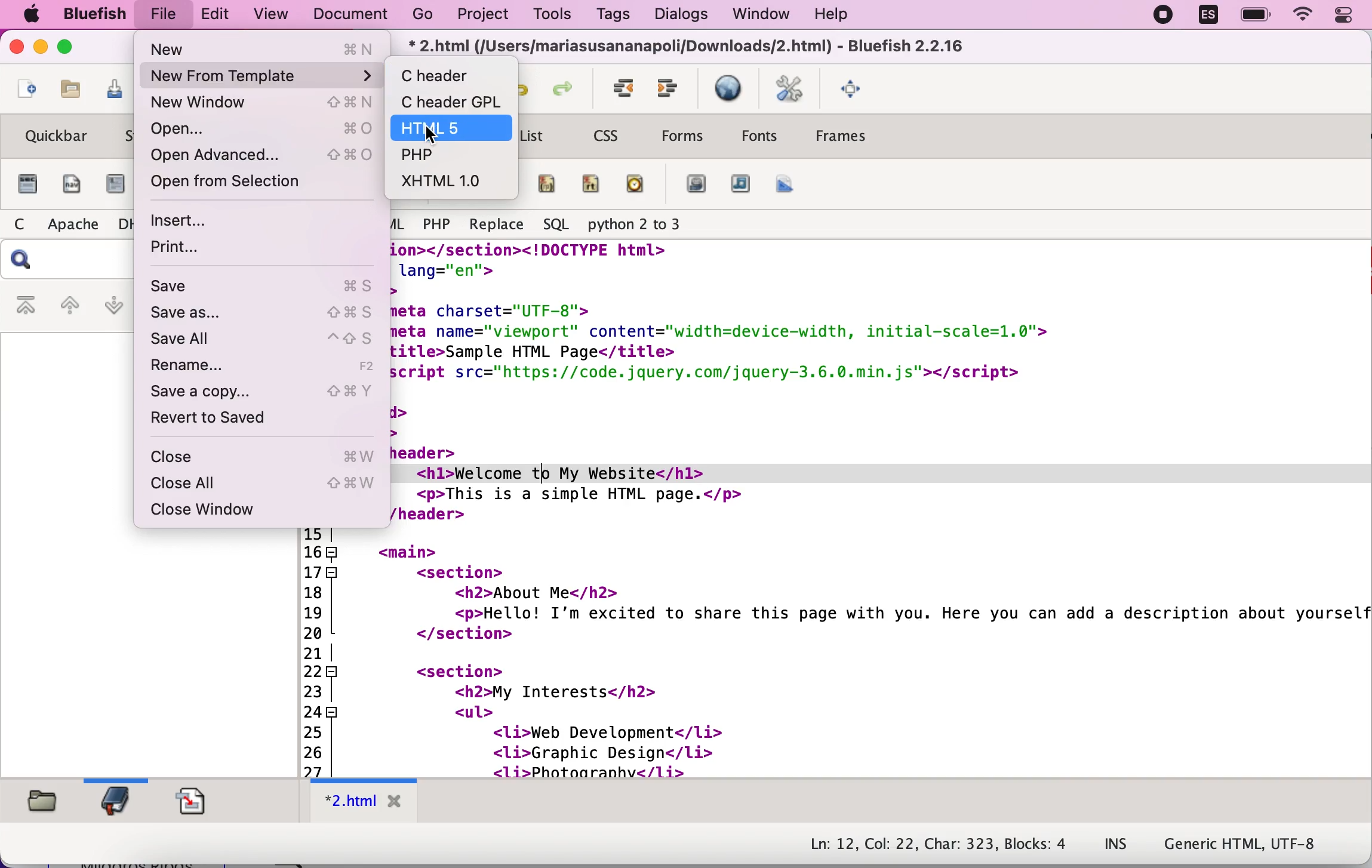 Image resolution: width=1372 pixels, height=868 pixels. What do you see at coordinates (692, 47) in the screenshot?
I see `` at bounding box center [692, 47].